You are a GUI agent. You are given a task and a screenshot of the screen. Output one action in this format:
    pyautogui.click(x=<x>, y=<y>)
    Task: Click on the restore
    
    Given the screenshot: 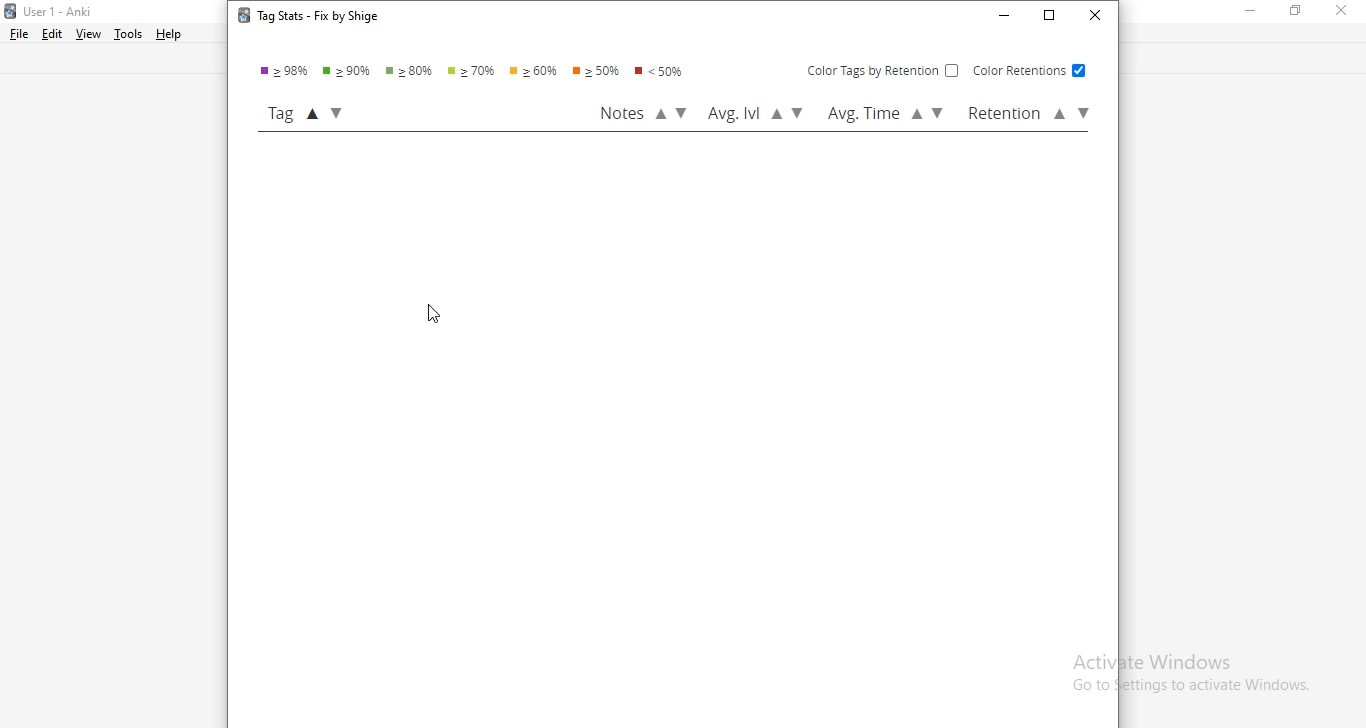 What is the action you would take?
    pyautogui.click(x=1297, y=13)
    